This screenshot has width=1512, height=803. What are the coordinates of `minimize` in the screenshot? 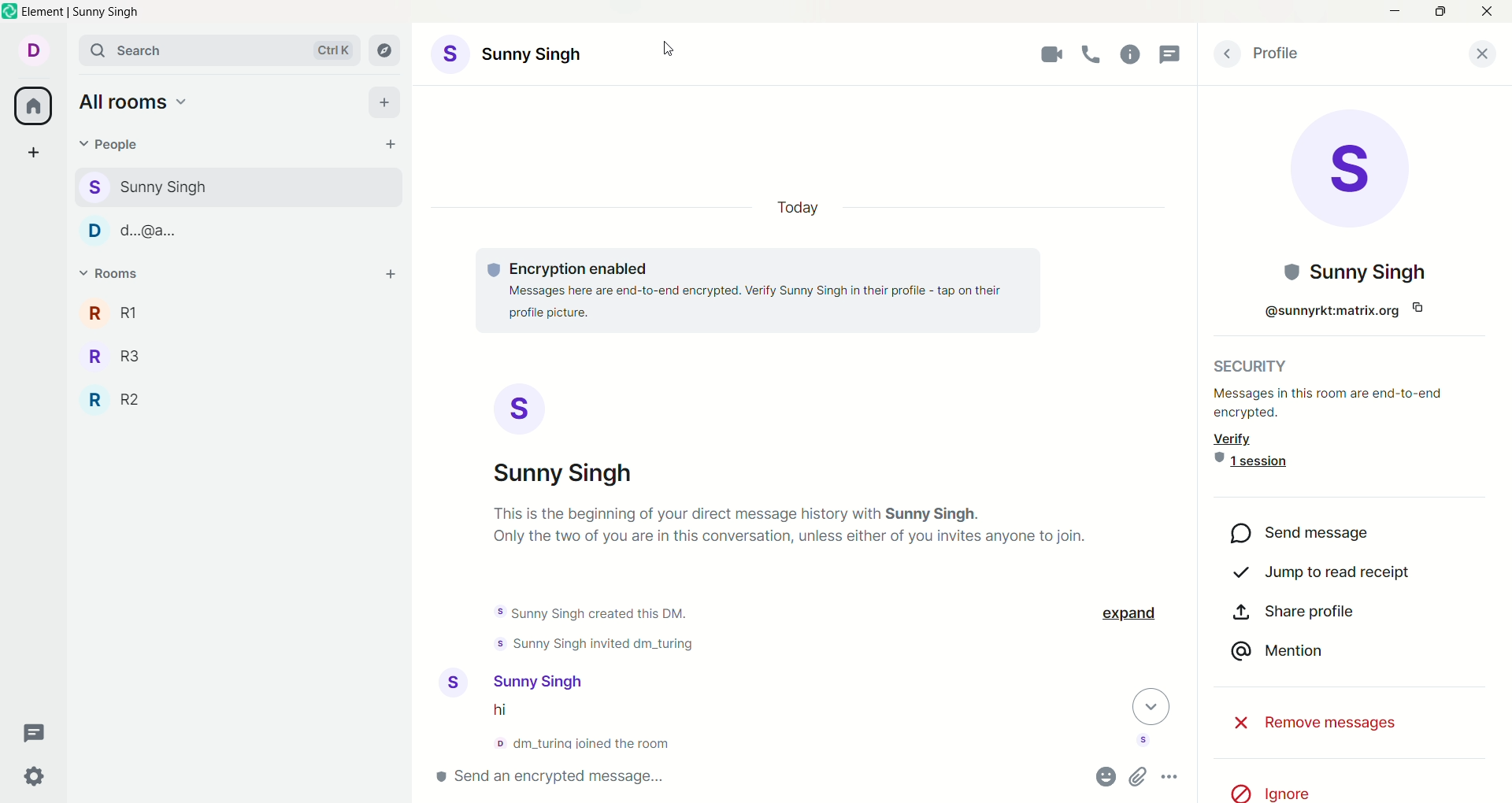 It's located at (1393, 9).